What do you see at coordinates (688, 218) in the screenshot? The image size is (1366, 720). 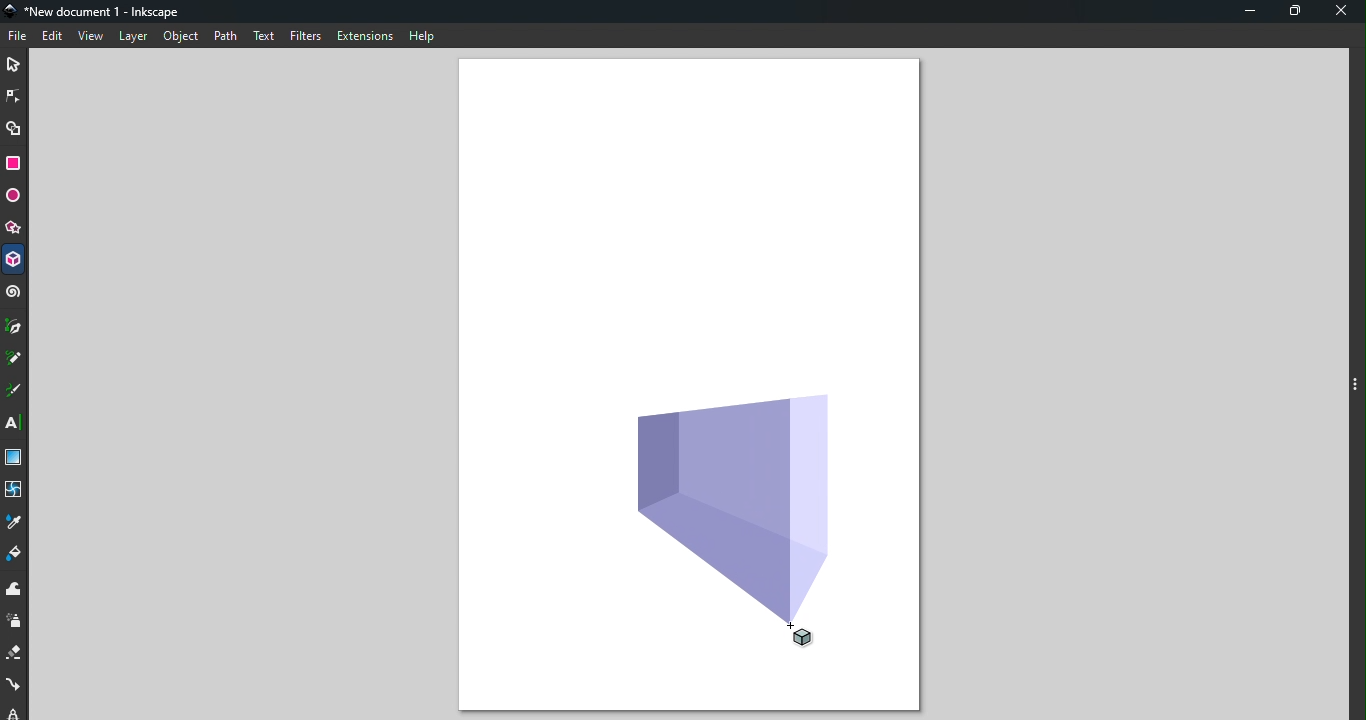 I see `Canvas` at bounding box center [688, 218].